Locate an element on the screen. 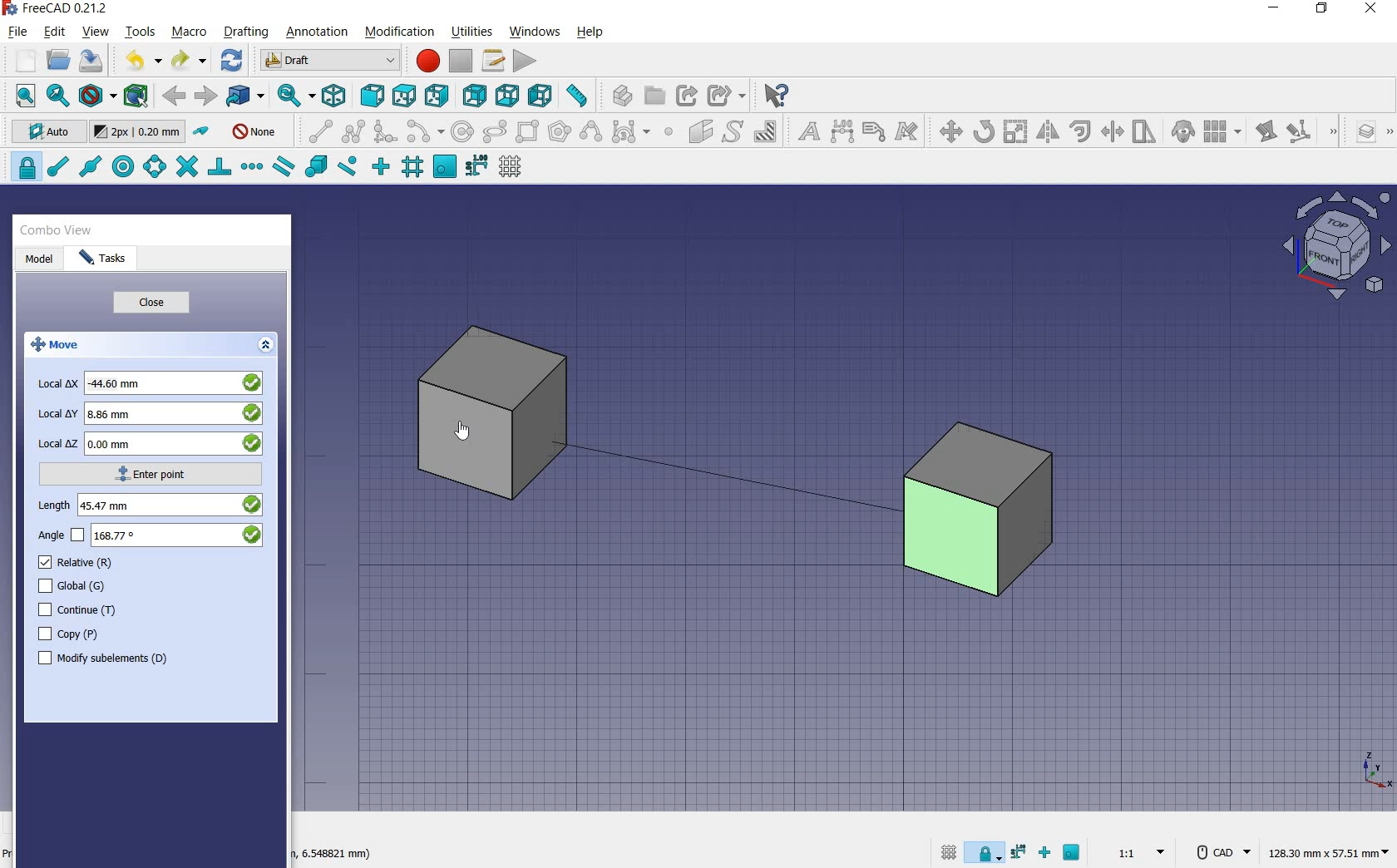  stop macro recording is located at coordinates (458, 62).